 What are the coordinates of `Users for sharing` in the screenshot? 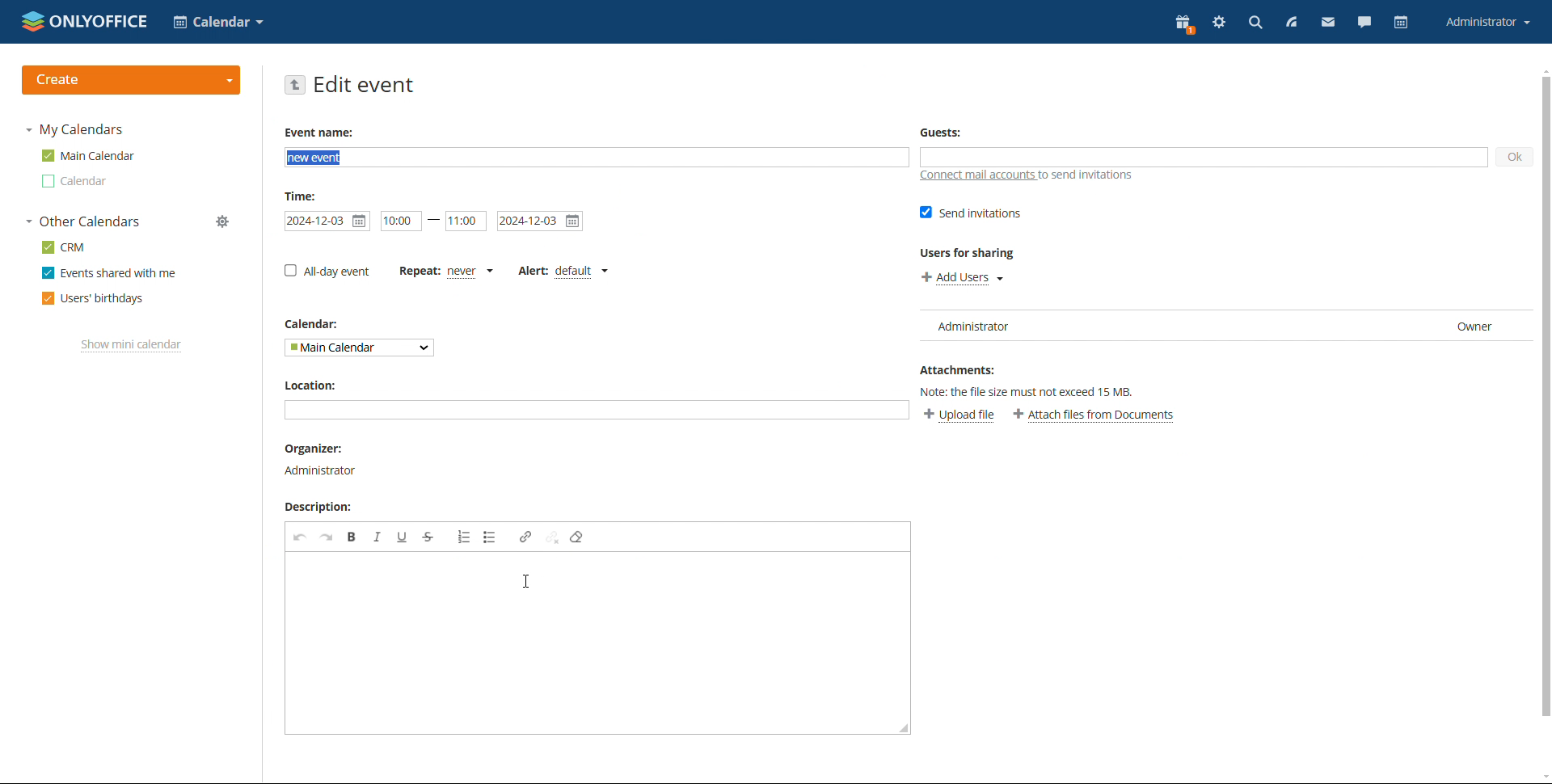 It's located at (970, 253).